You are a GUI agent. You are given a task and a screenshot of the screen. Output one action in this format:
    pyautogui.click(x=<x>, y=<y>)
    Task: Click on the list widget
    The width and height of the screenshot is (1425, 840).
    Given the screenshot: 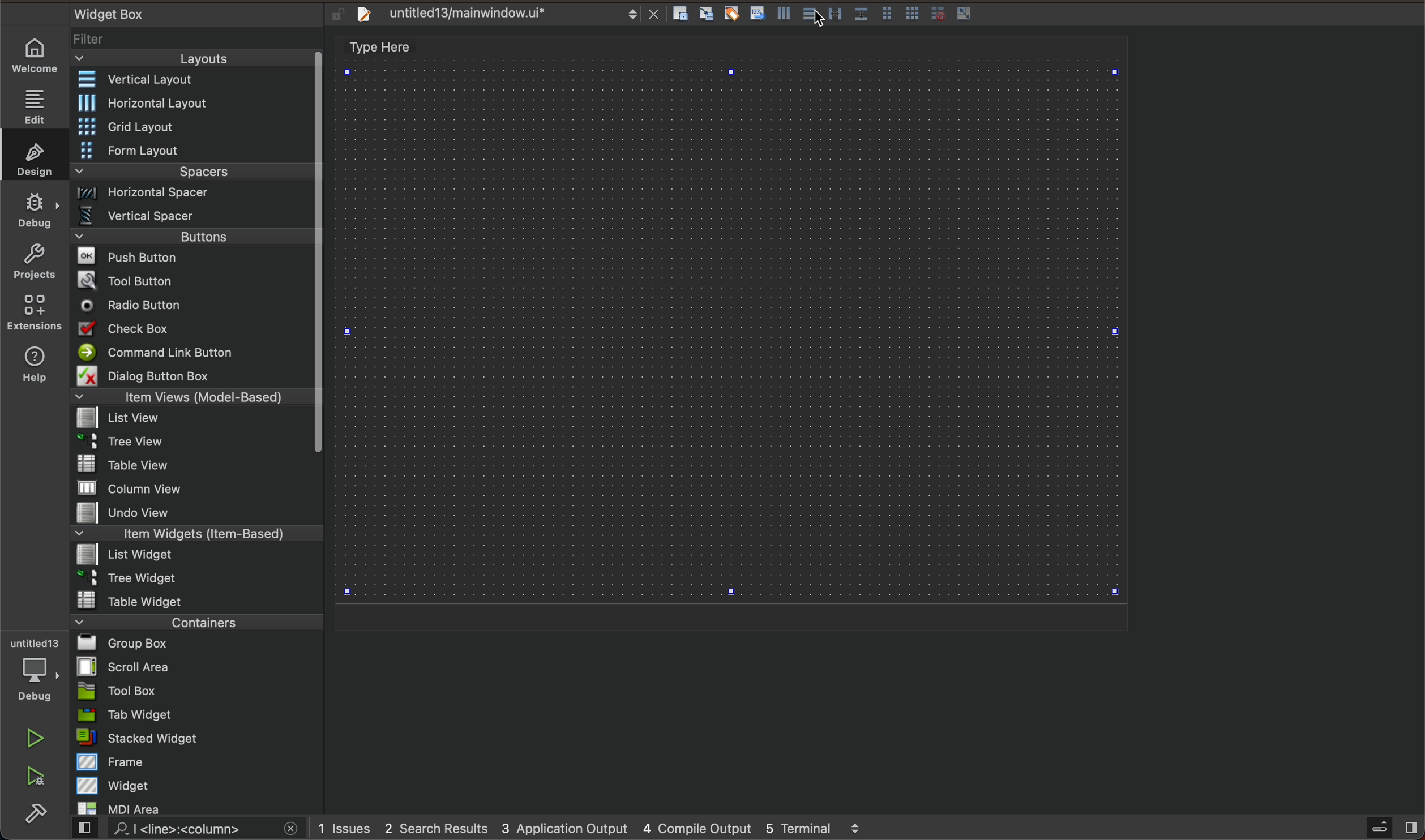 What is the action you would take?
    pyautogui.click(x=193, y=556)
    